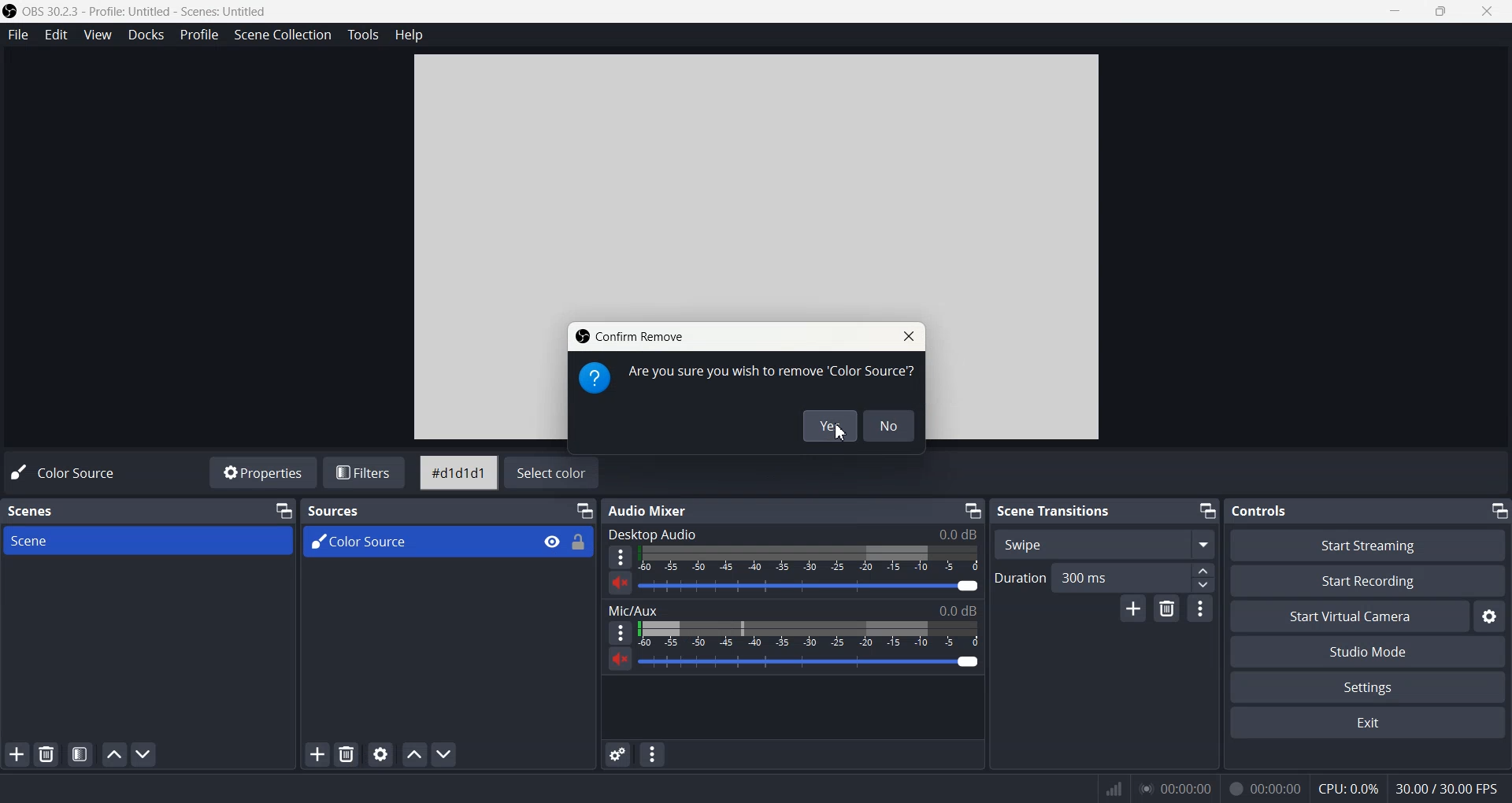 This screenshot has height=803, width=1512. I want to click on Are you sure you wish to remove 'Color Source'?, so click(751, 377).